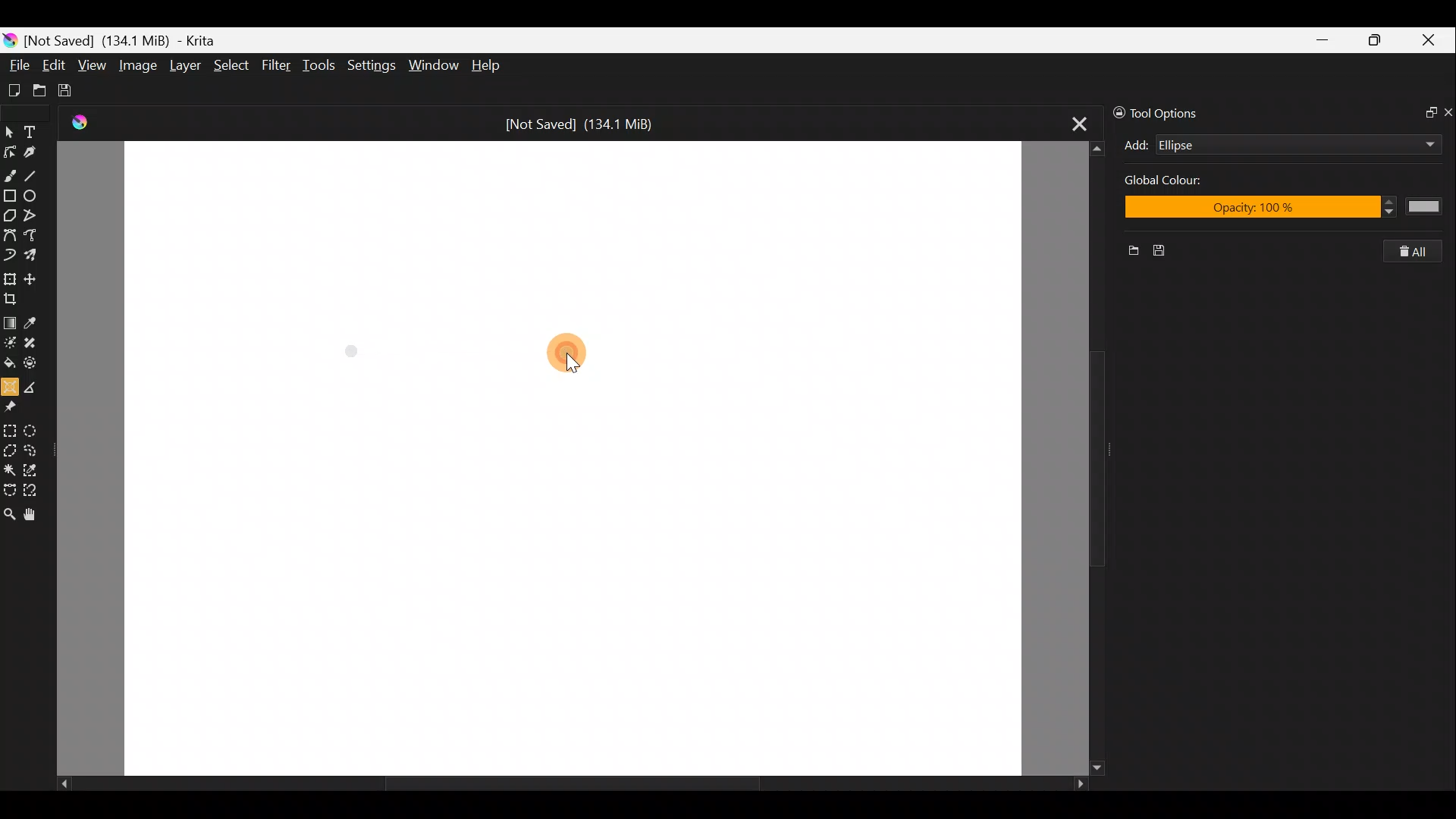 Image resolution: width=1456 pixels, height=819 pixels. Describe the element at coordinates (30, 514) in the screenshot. I see `Pan tool` at that location.